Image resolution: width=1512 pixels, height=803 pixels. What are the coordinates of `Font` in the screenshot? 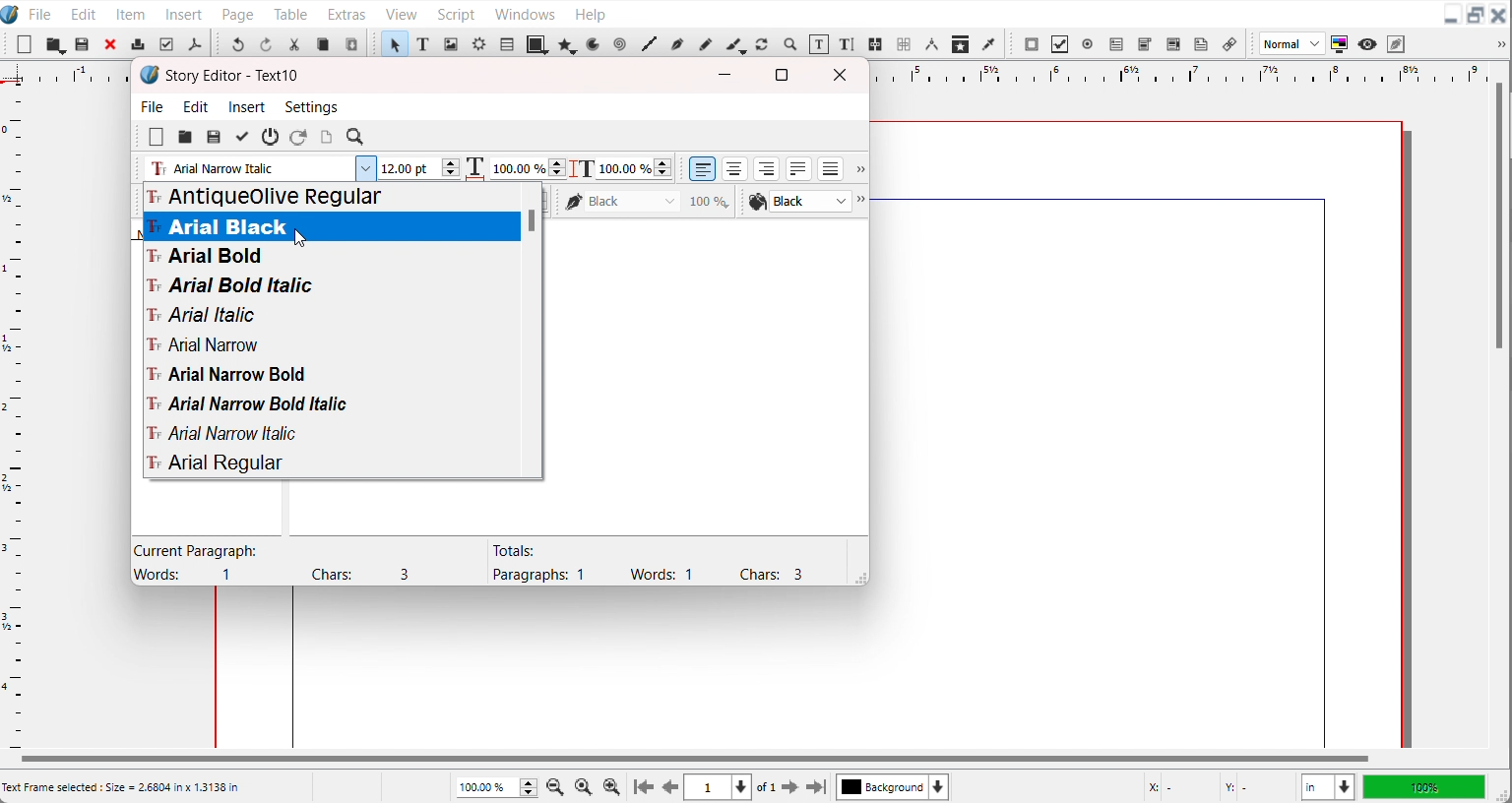 It's located at (330, 257).